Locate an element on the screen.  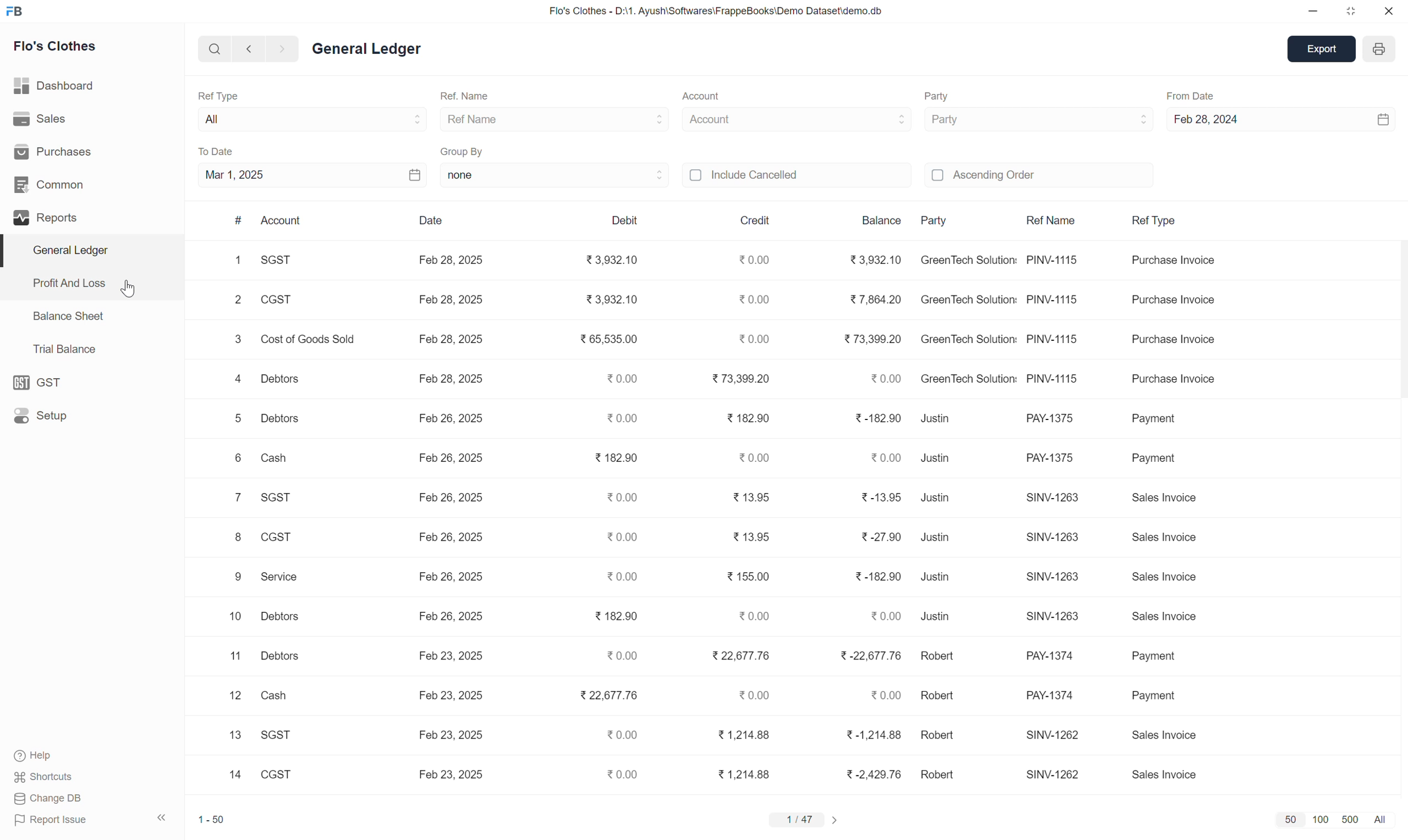
PAY-1375 is located at coordinates (1050, 454).